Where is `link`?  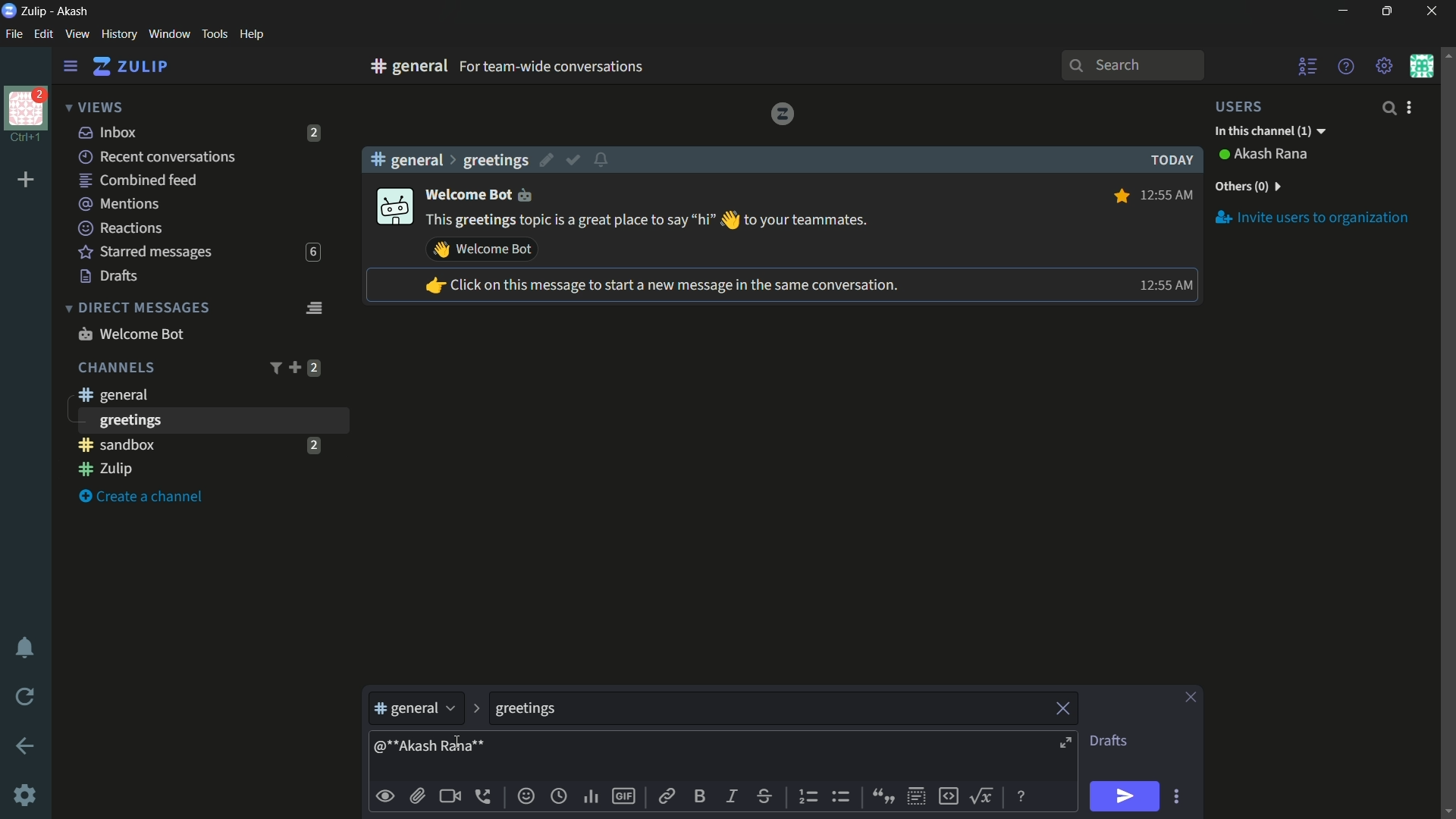
link is located at coordinates (665, 799).